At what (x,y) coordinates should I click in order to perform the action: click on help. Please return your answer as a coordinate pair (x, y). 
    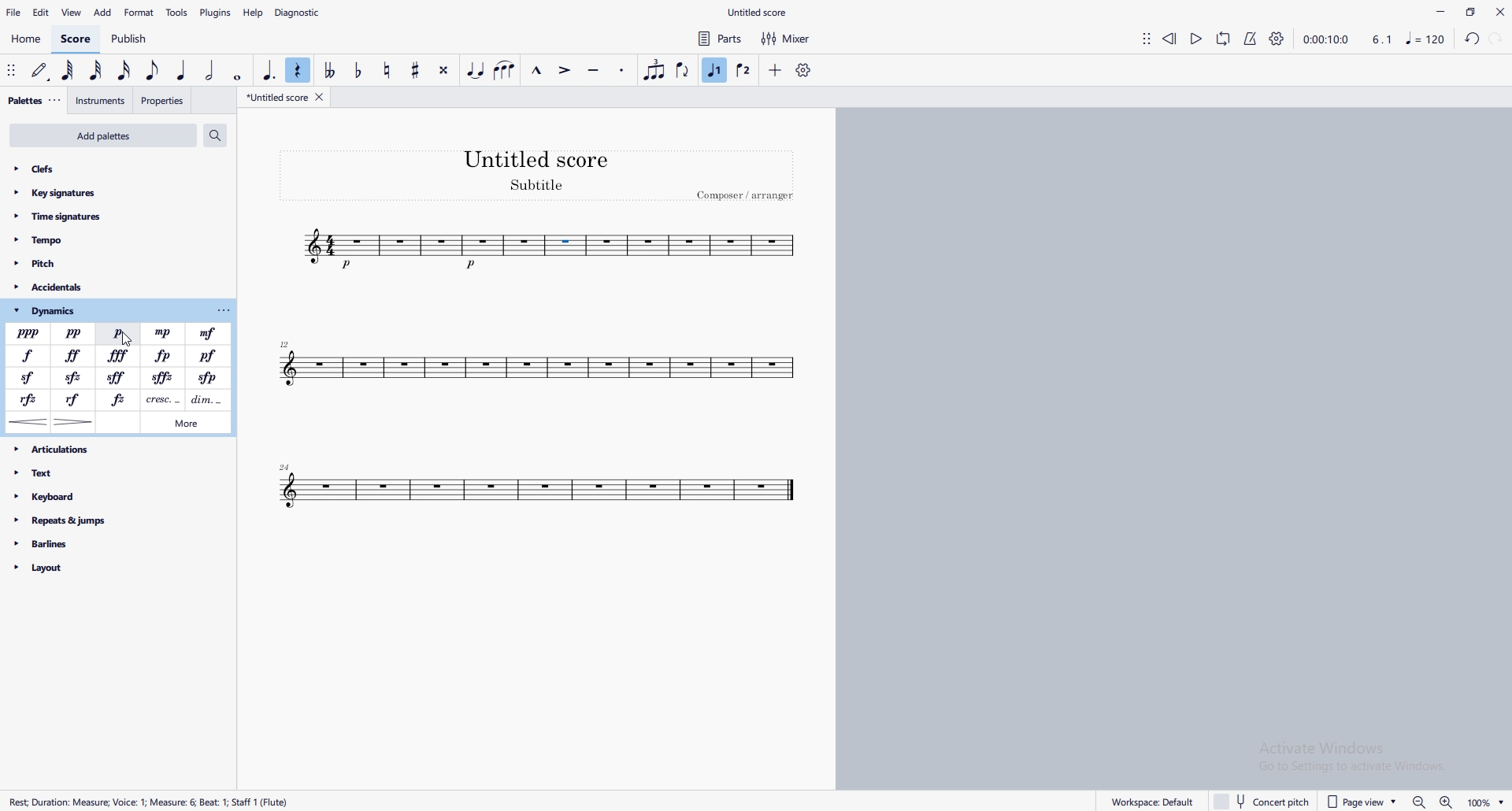
    Looking at the image, I should click on (253, 13).